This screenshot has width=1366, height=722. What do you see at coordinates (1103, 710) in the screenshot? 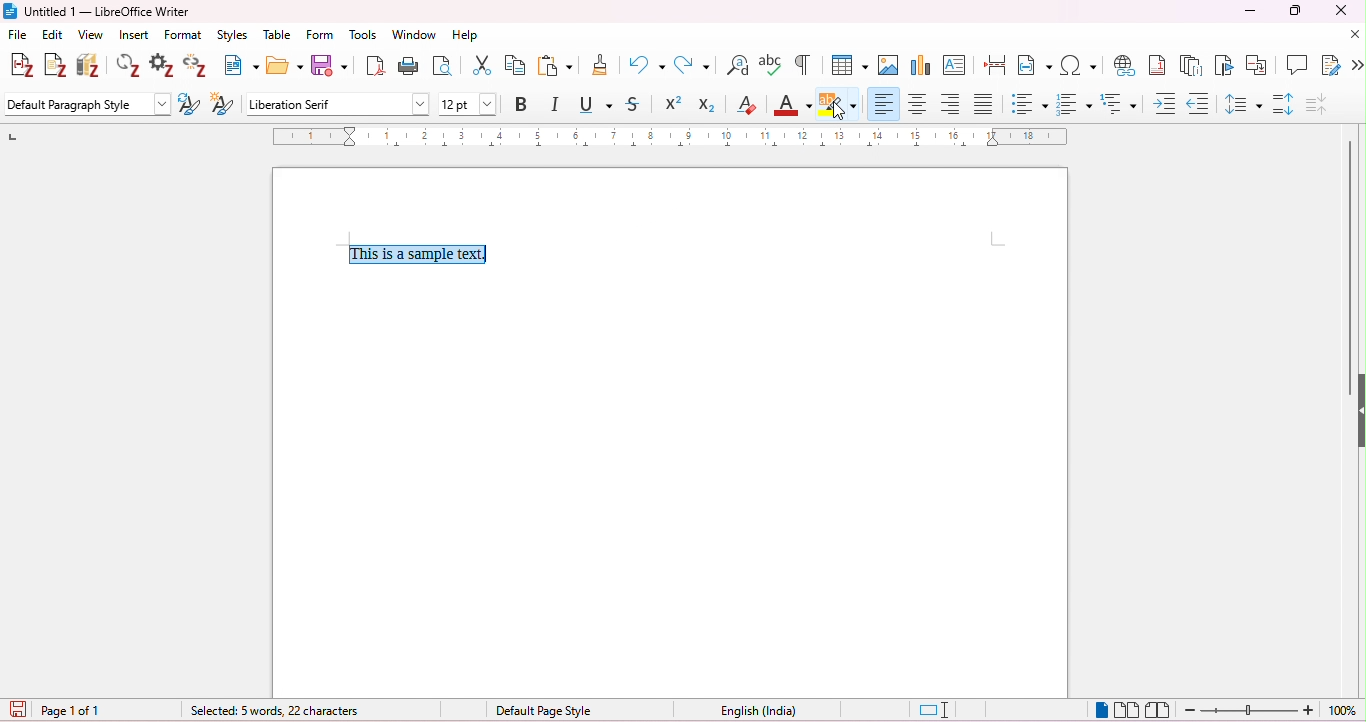
I see `single page ` at bounding box center [1103, 710].